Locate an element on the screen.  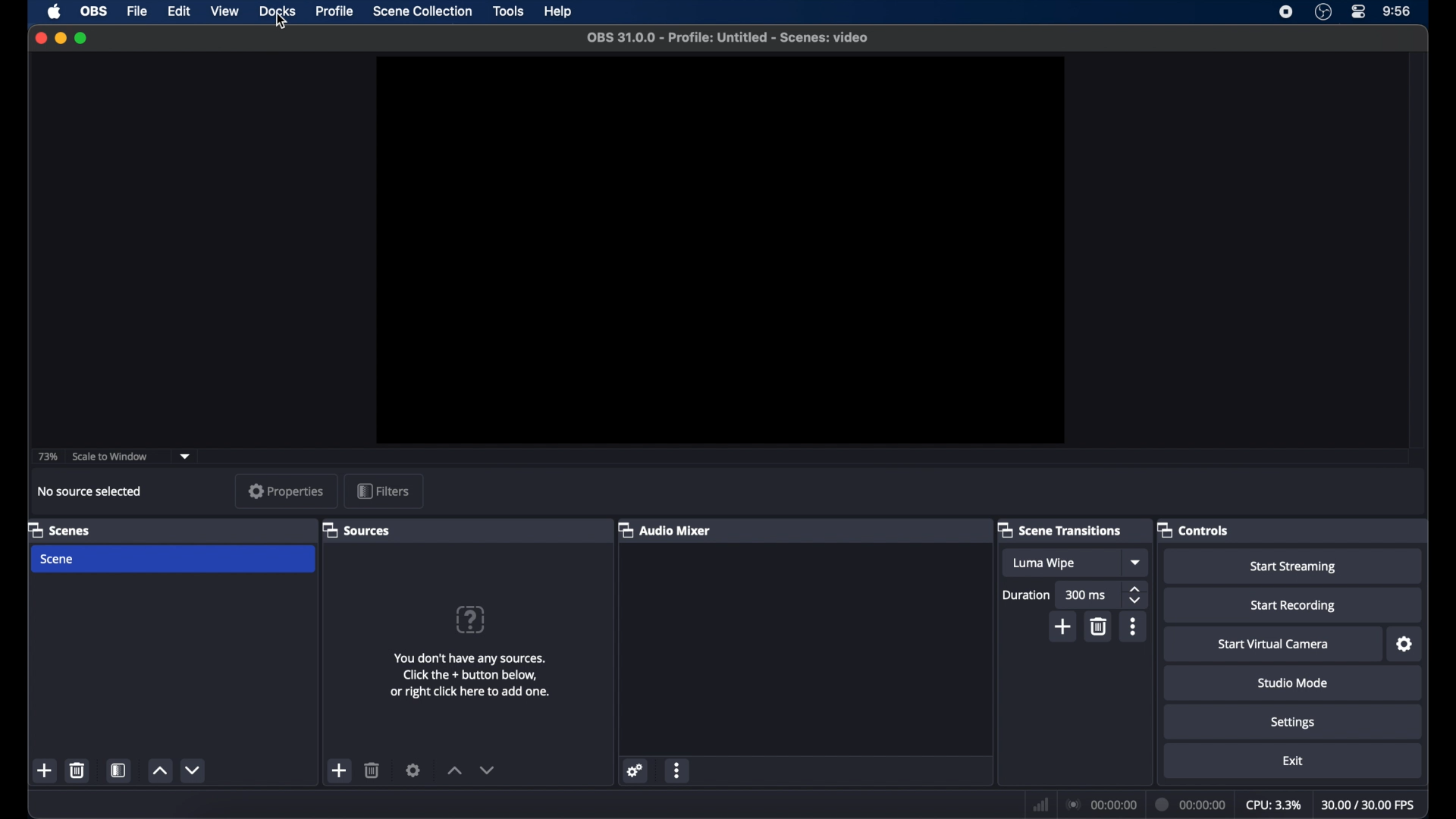
connections is located at coordinates (1100, 805).